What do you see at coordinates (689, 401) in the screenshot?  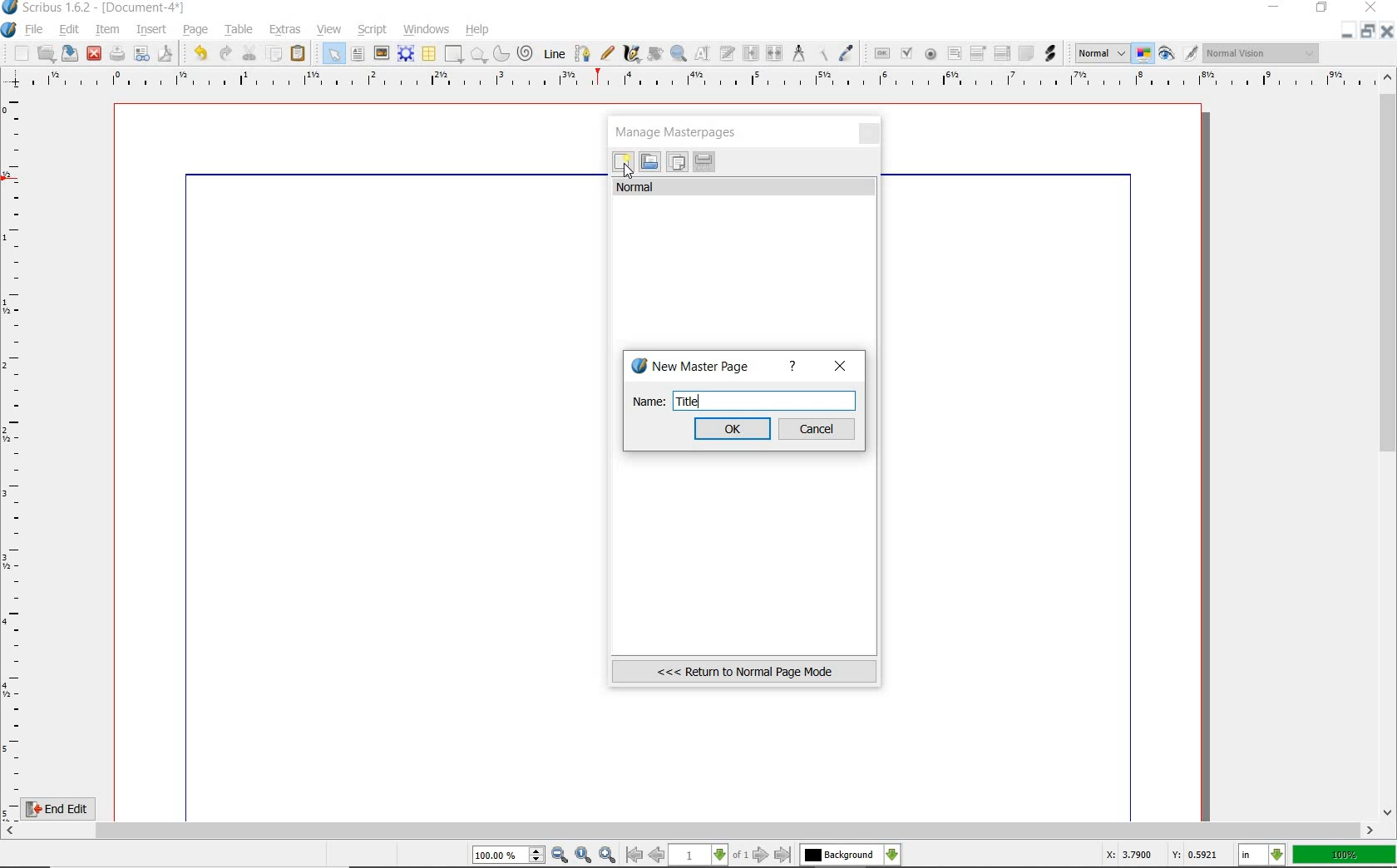 I see `title` at bounding box center [689, 401].